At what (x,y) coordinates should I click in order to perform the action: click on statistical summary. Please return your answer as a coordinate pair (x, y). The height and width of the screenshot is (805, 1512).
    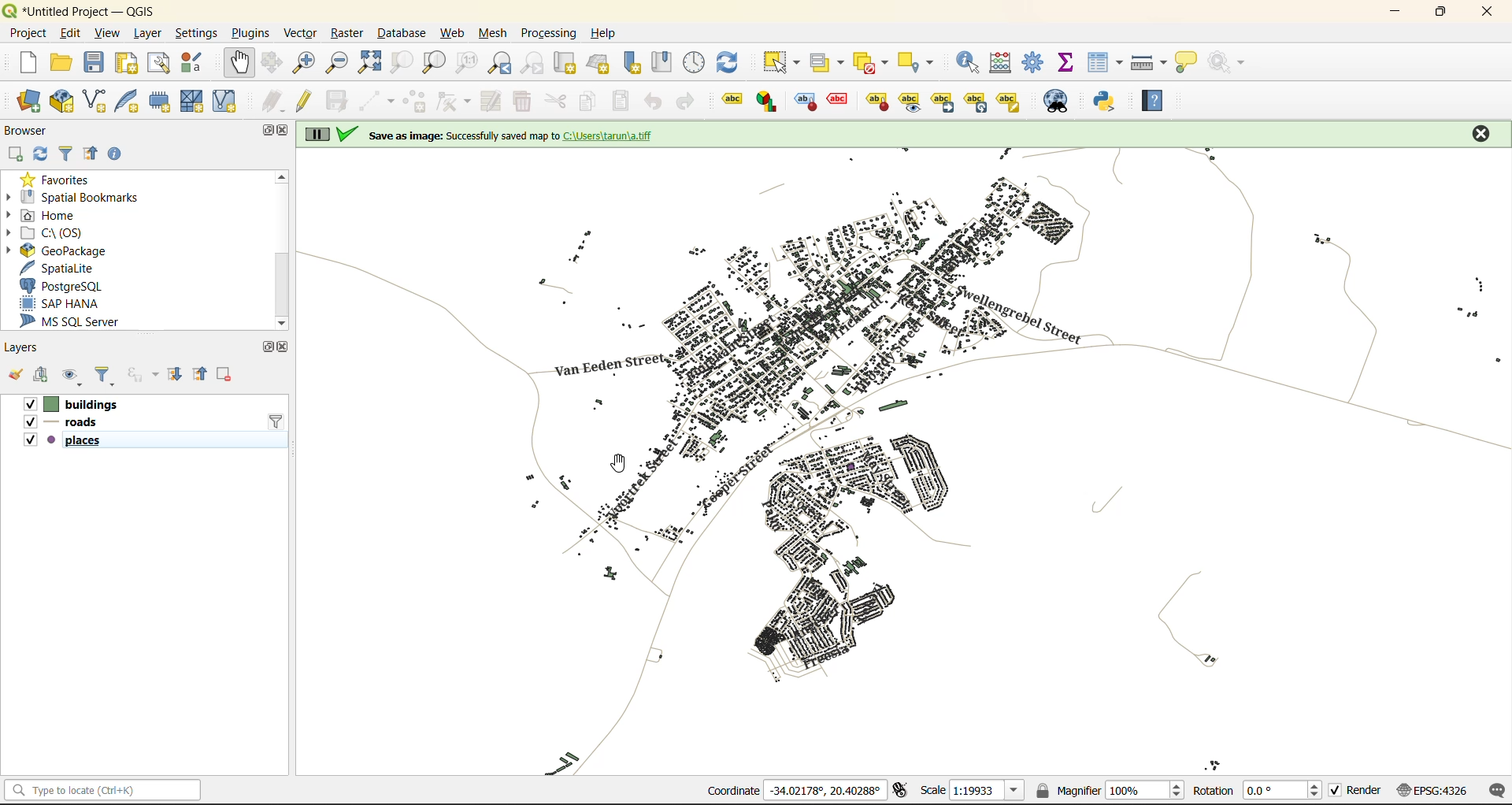
    Looking at the image, I should click on (1066, 64).